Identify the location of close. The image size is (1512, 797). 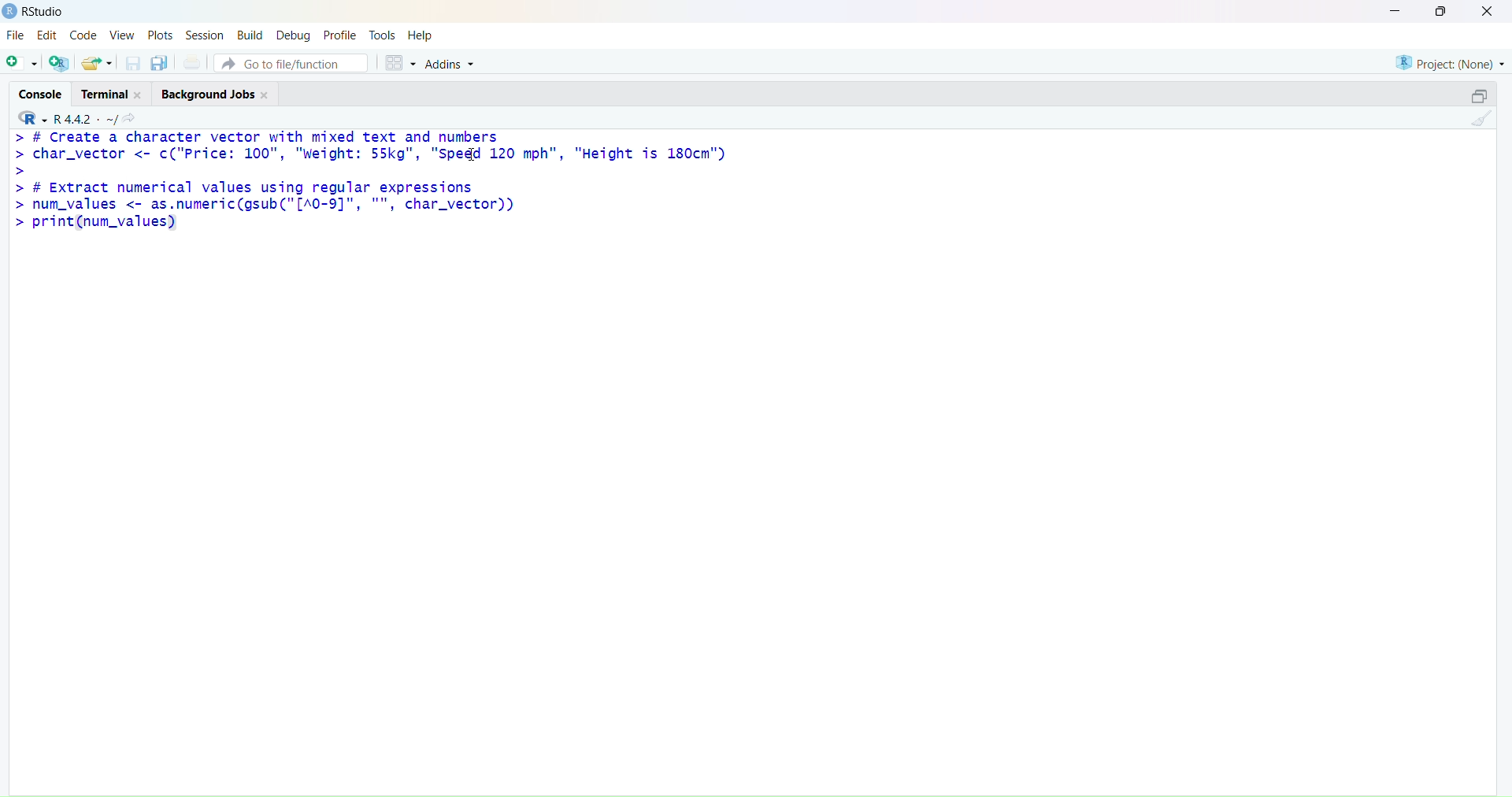
(139, 95).